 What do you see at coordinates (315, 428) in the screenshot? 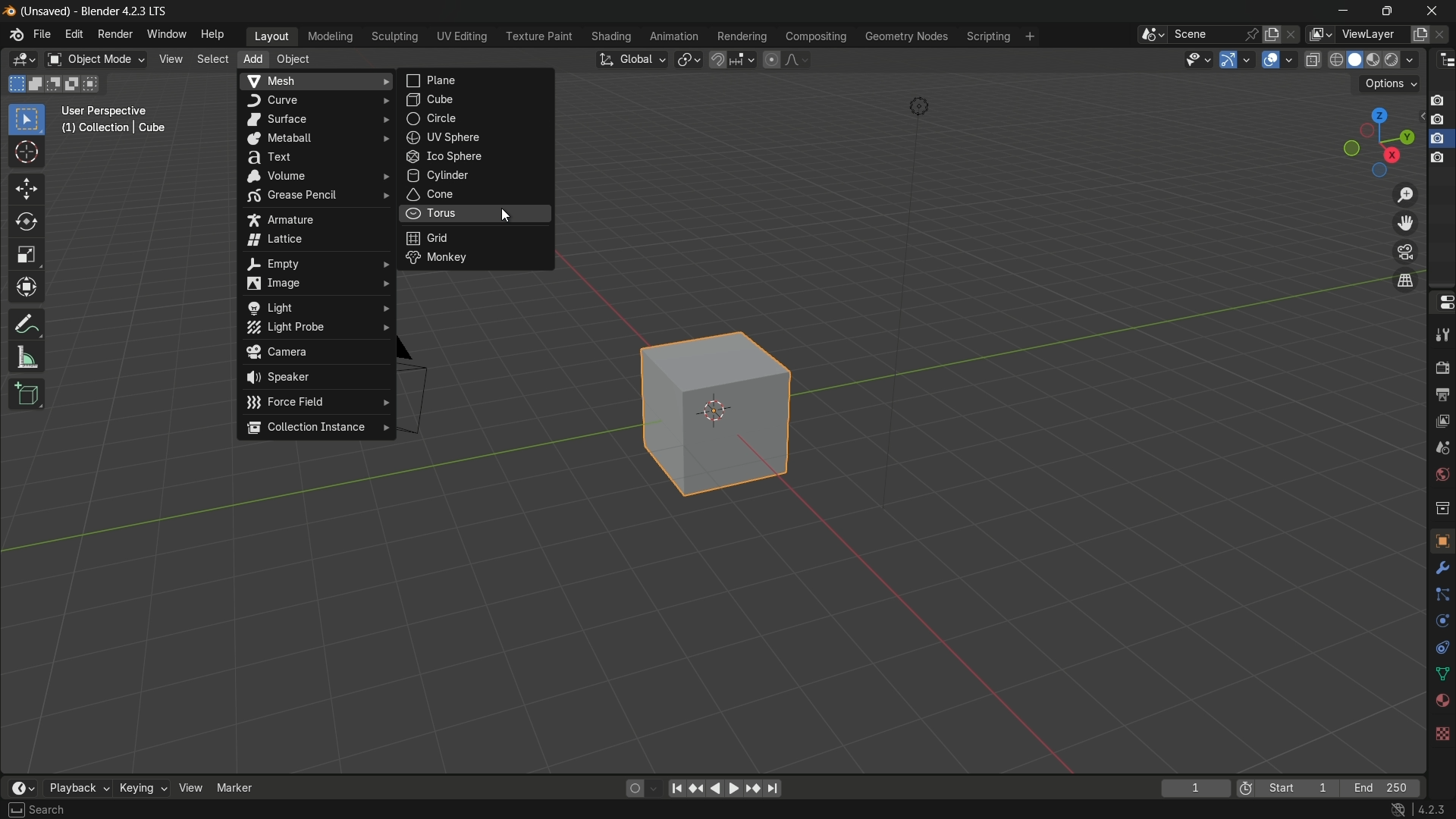
I see `collection instance` at bounding box center [315, 428].